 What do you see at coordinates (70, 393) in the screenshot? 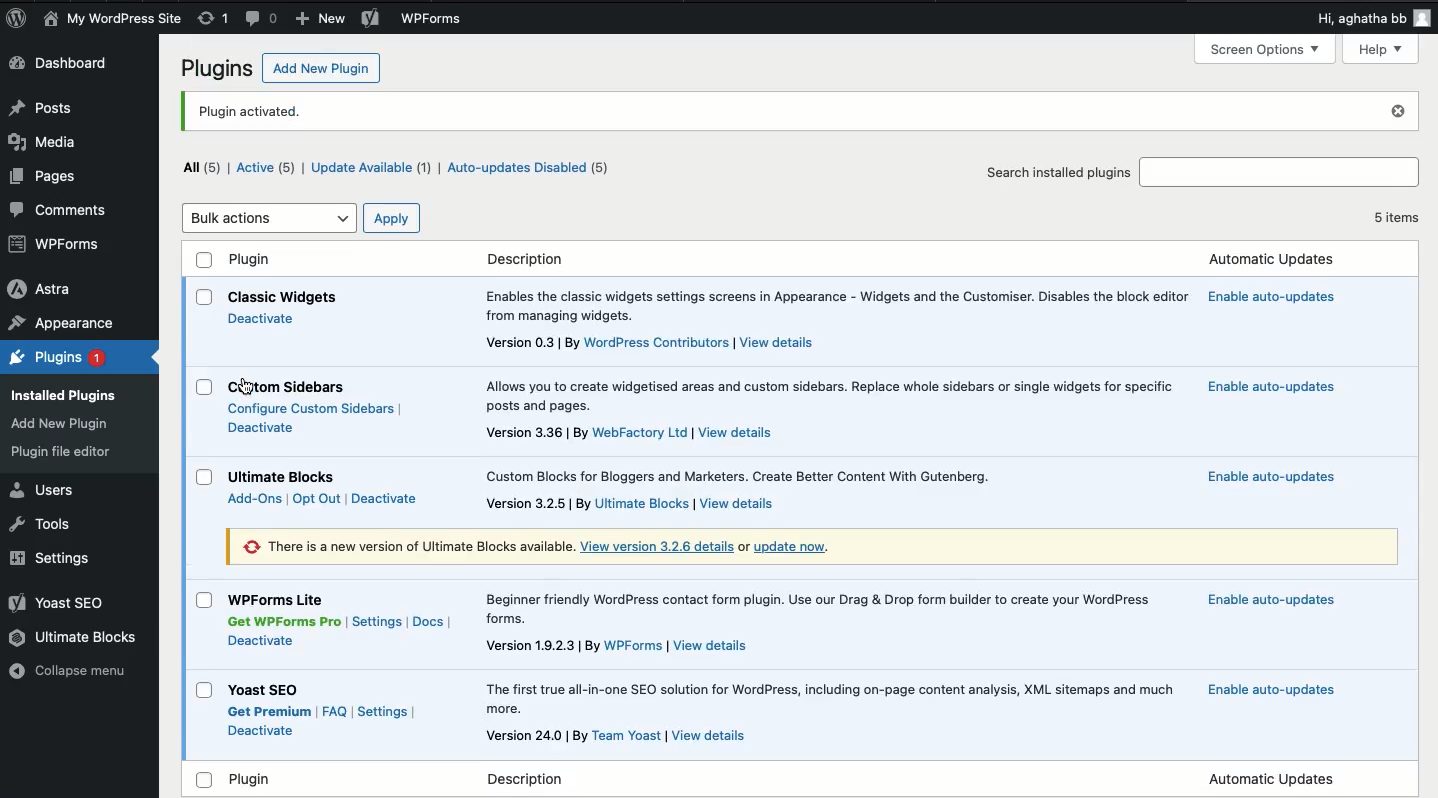
I see `Installed plugins` at bounding box center [70, 393].